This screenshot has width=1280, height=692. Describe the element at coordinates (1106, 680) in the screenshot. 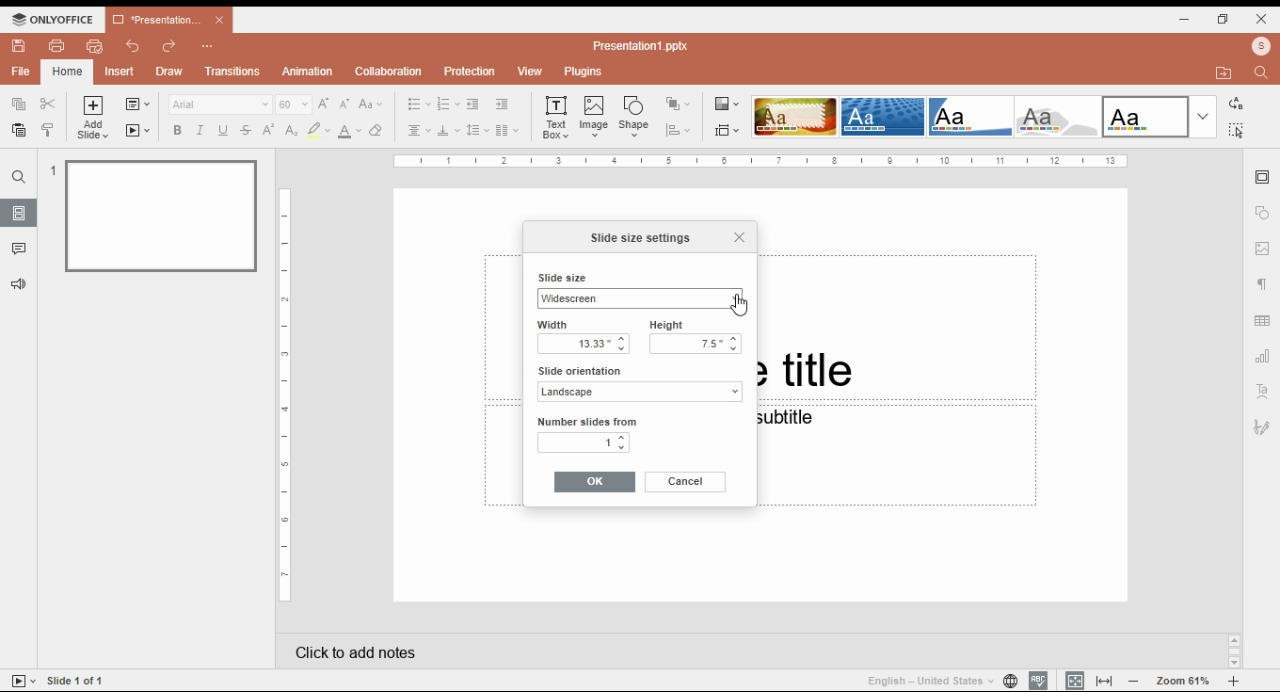

I see `fit to window` at that location.